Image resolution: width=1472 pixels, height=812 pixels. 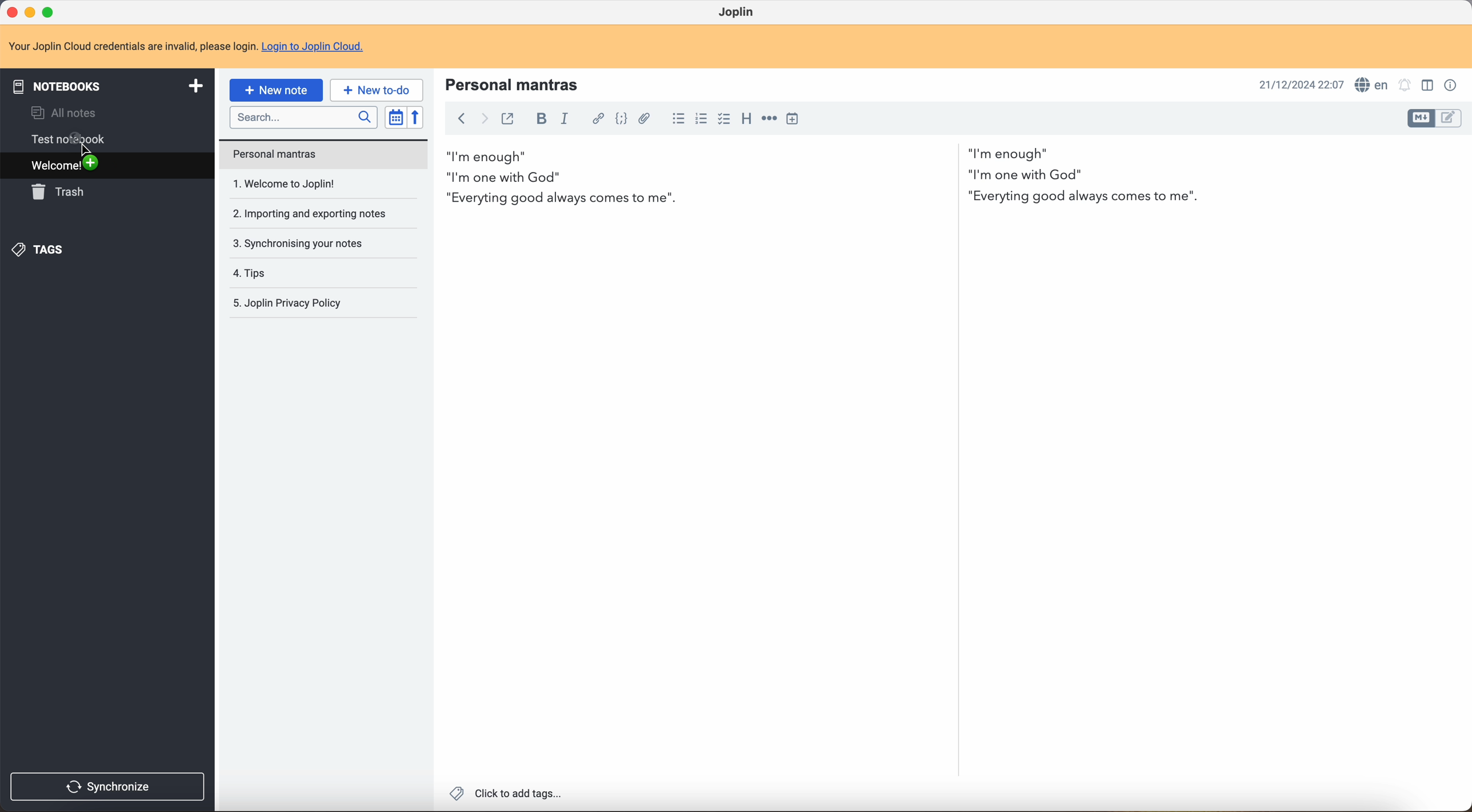 What do you see at coordinates (596, 119) in the screenshot?
I see `hyperlink` at bounding box center [596, 119].